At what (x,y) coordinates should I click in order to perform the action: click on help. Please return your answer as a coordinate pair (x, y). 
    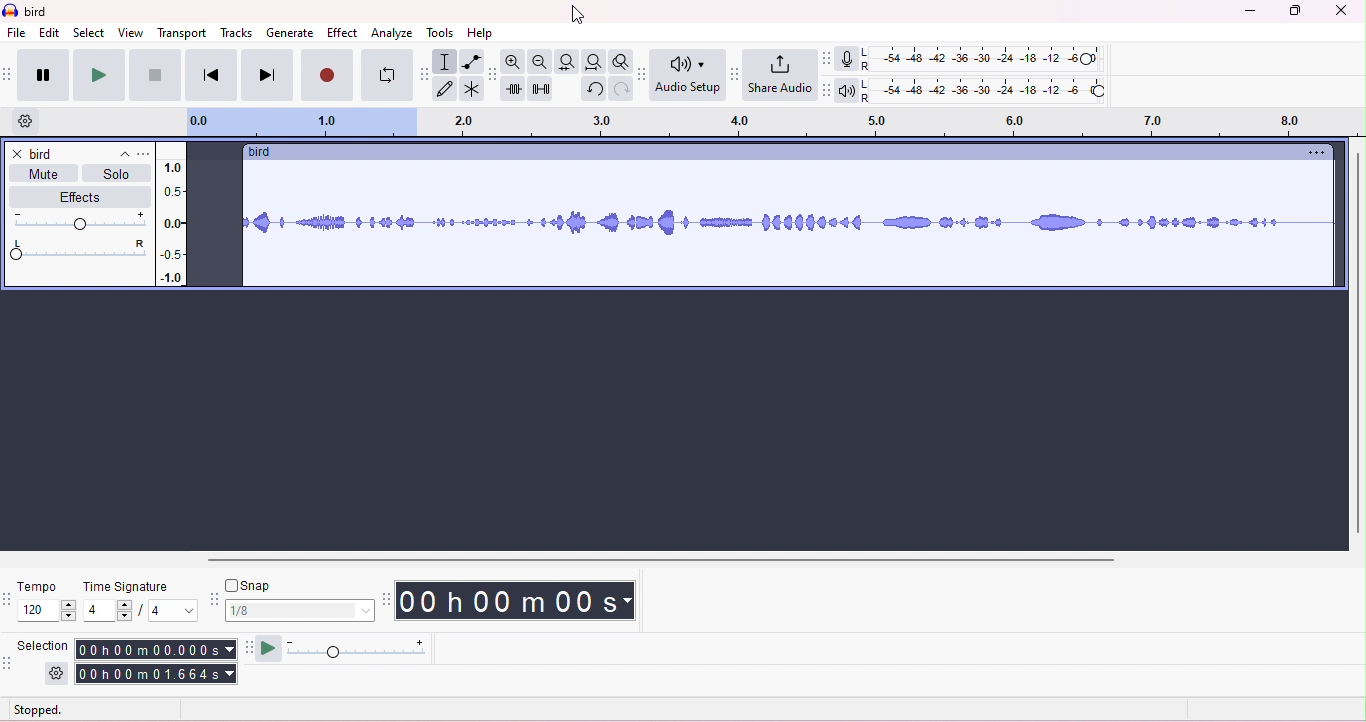
    Looking at the image, I should click on (480, 33).